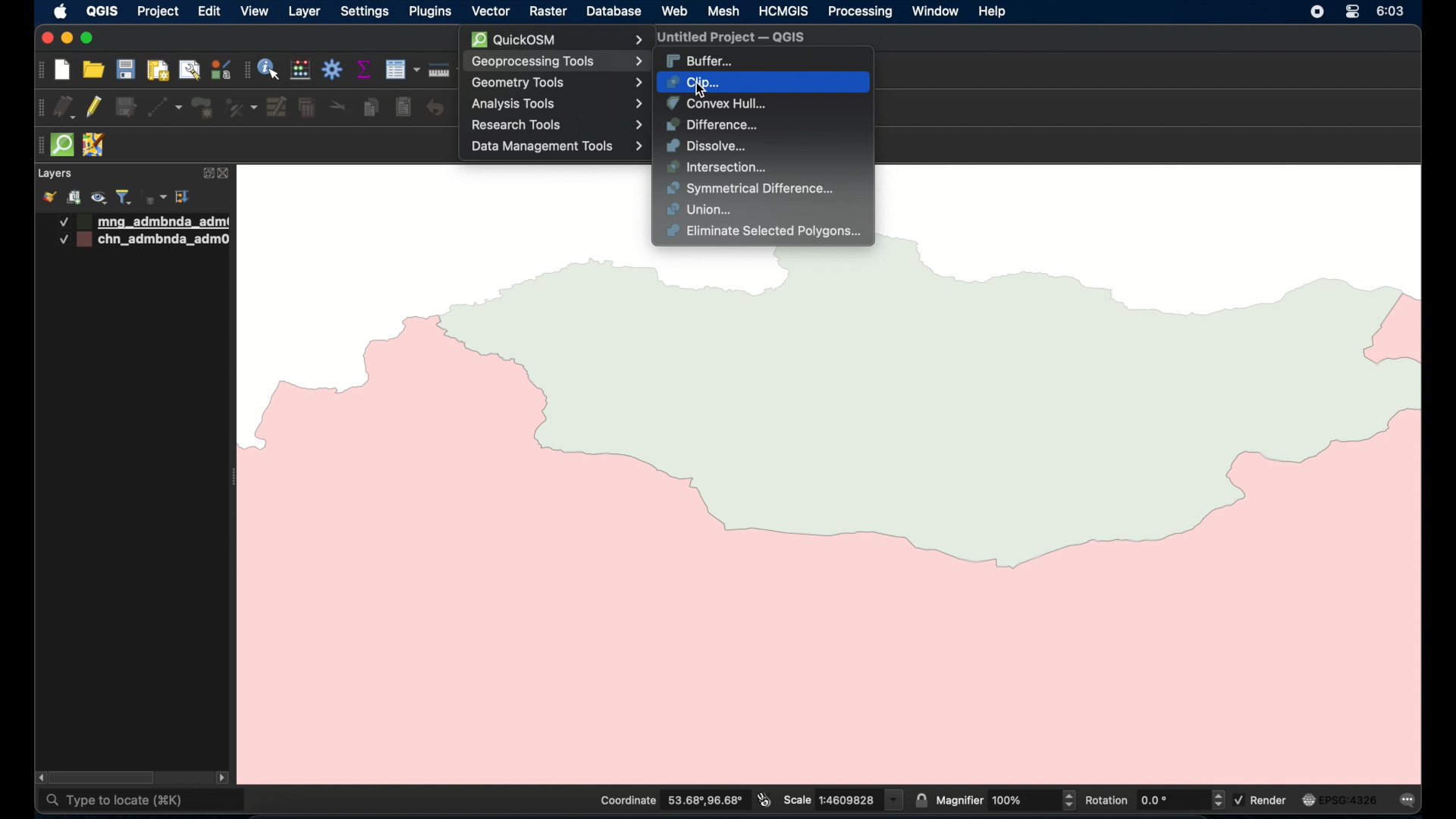 The image size is (1456, 819). I want to click on processing, so click(861, 13).